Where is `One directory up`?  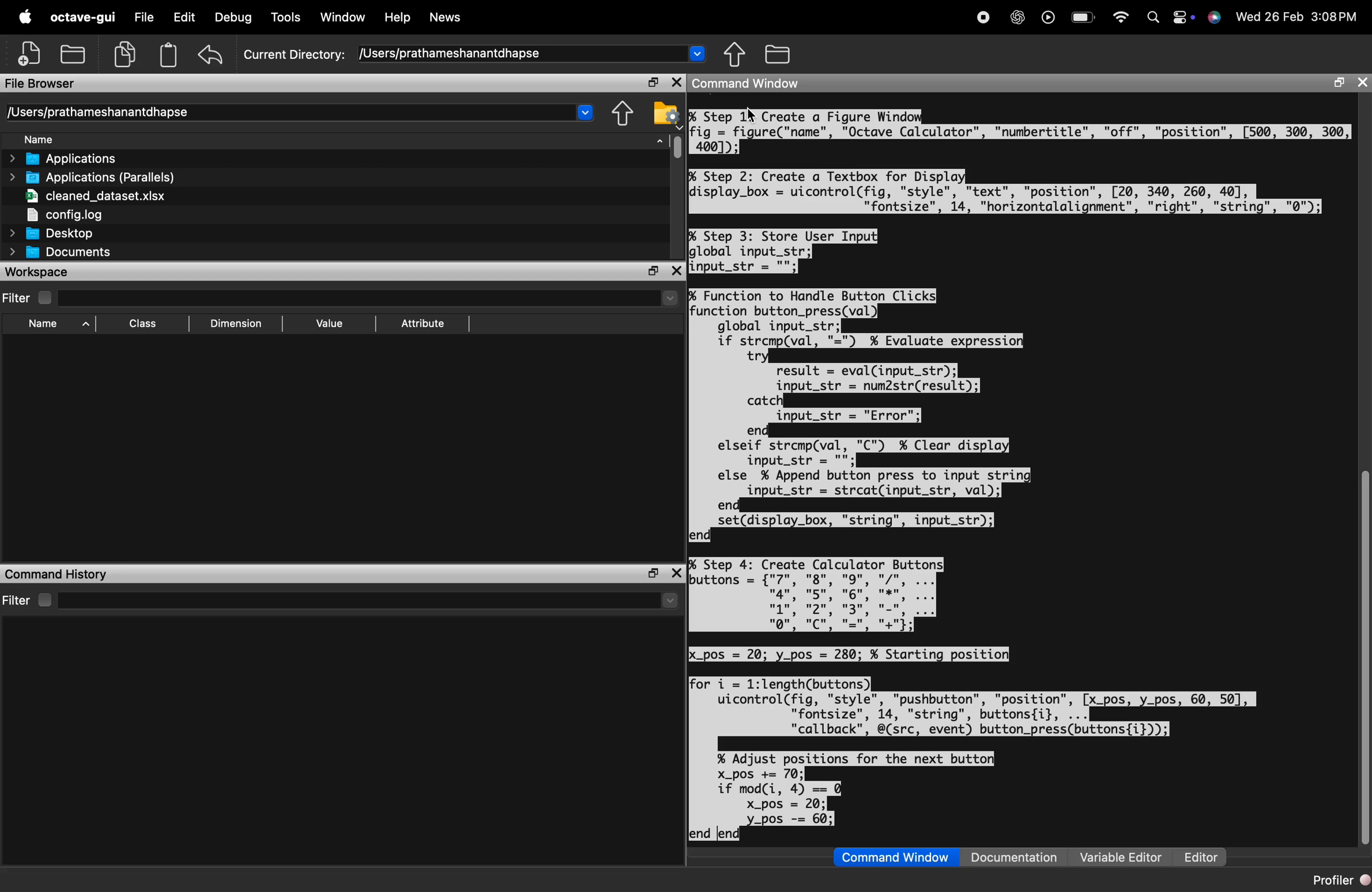 One directory up is located at coordinates (777, 55).